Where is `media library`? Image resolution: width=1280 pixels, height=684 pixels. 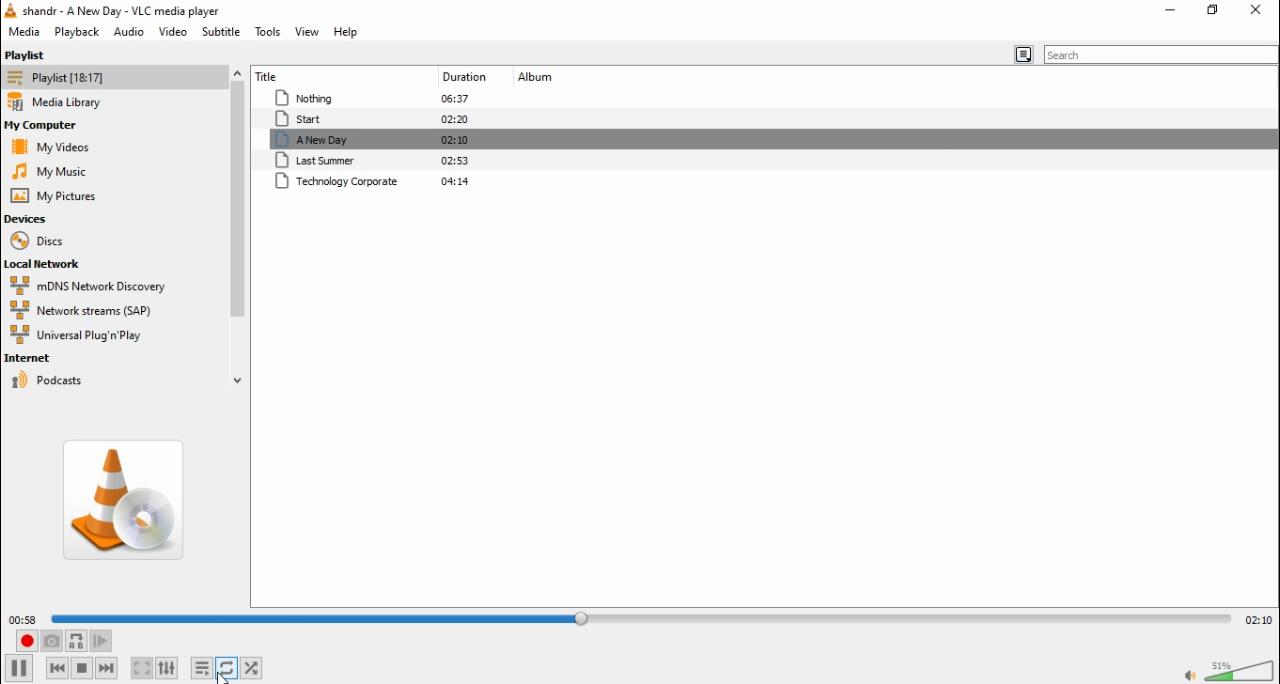 media library is located at coordinates (66, 102).